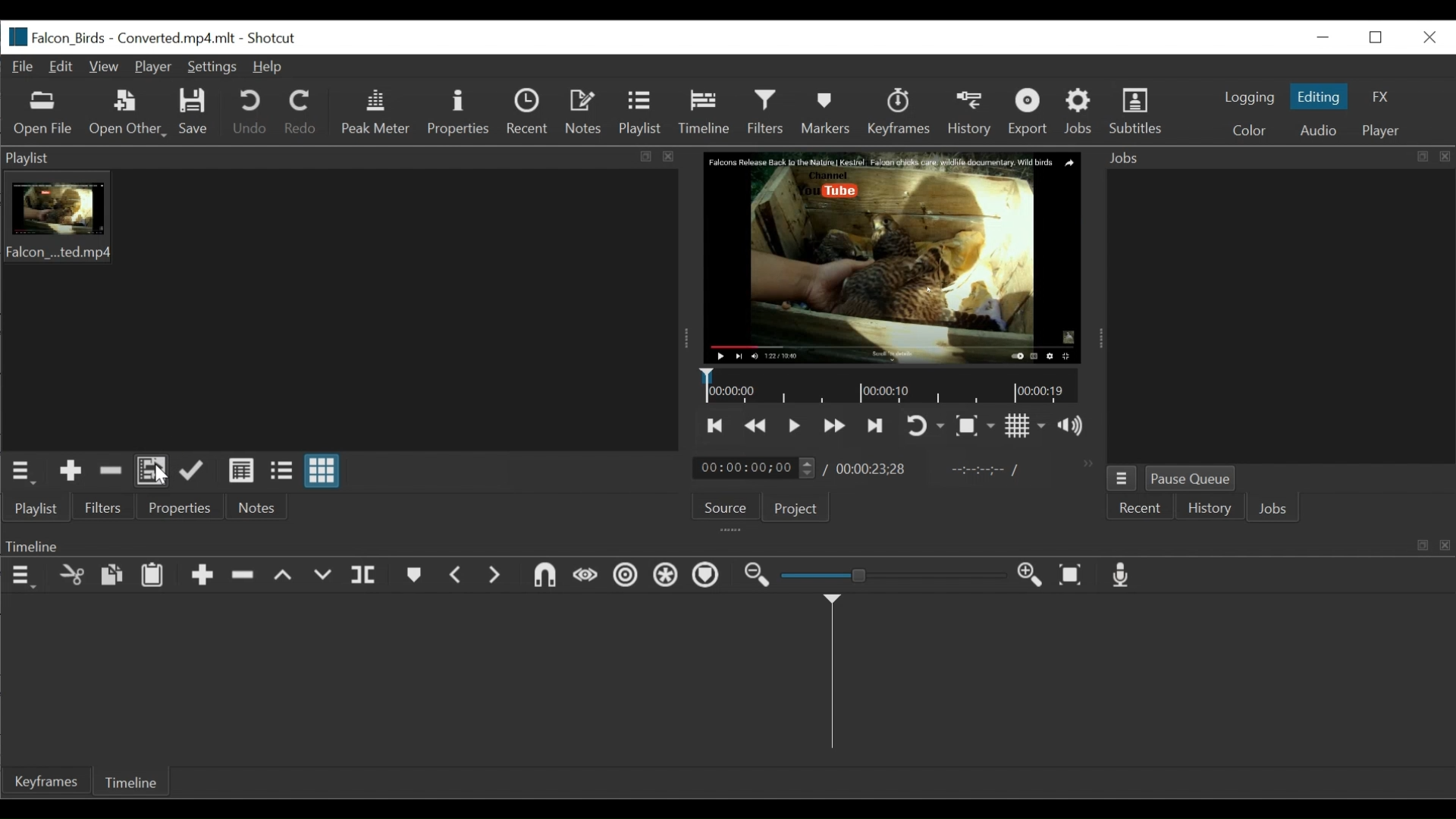 The image size is (1456, 819). I want to click on Restore, so click(1377, 38).